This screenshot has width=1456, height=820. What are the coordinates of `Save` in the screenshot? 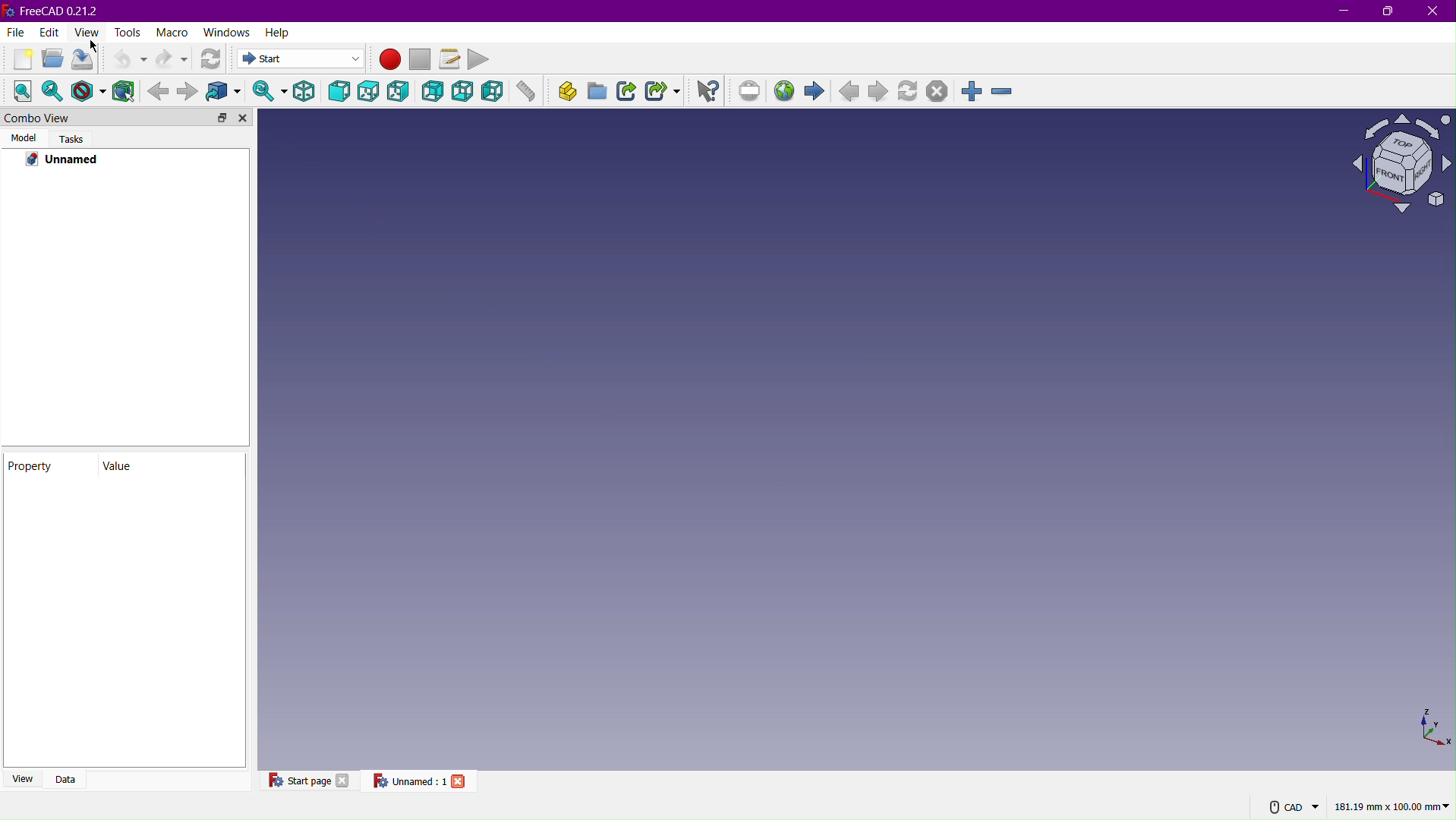 It's located at (84, 59).